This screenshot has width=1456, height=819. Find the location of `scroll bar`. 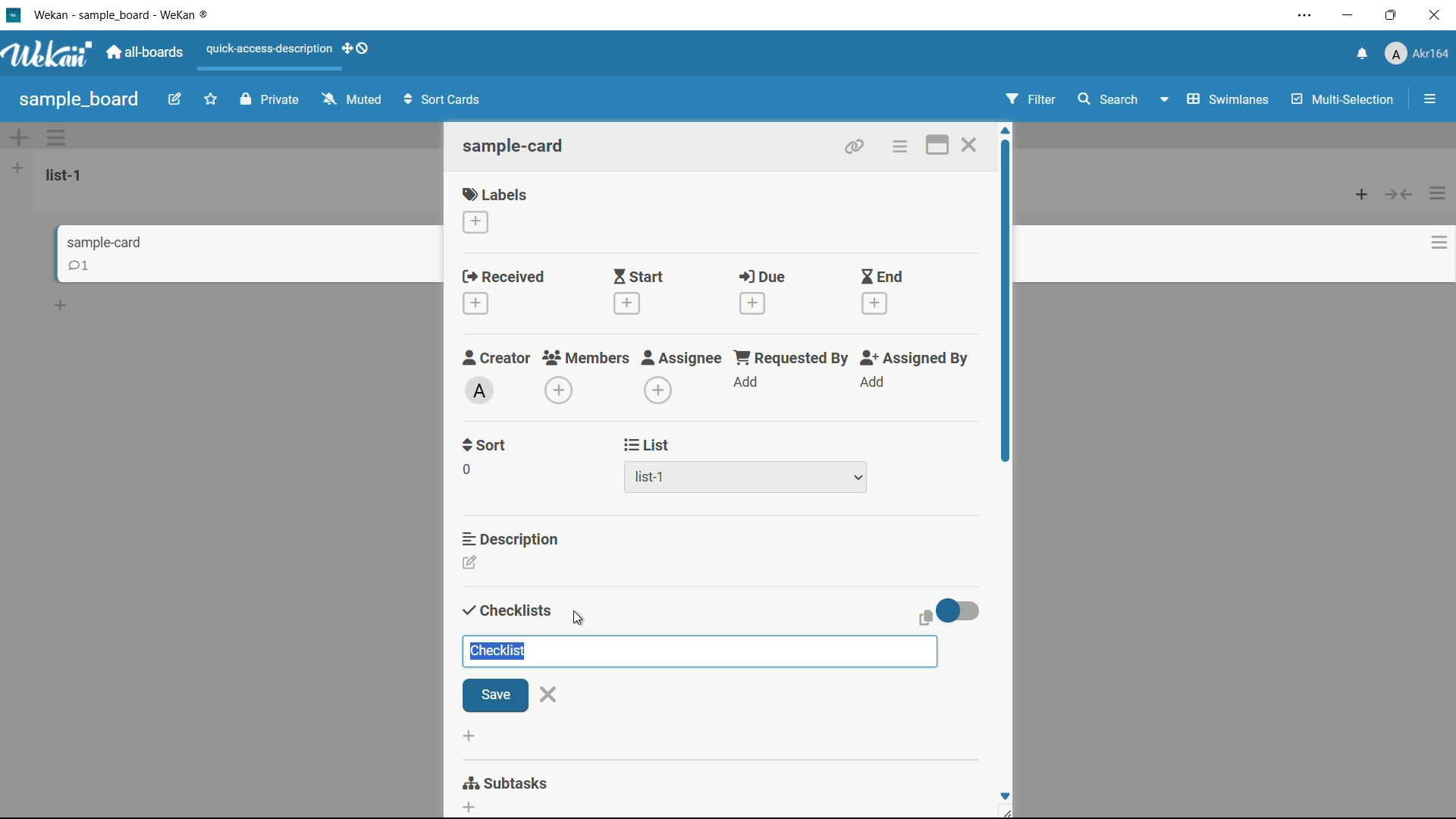

scroll bar is located at coordinates (1007, 316).